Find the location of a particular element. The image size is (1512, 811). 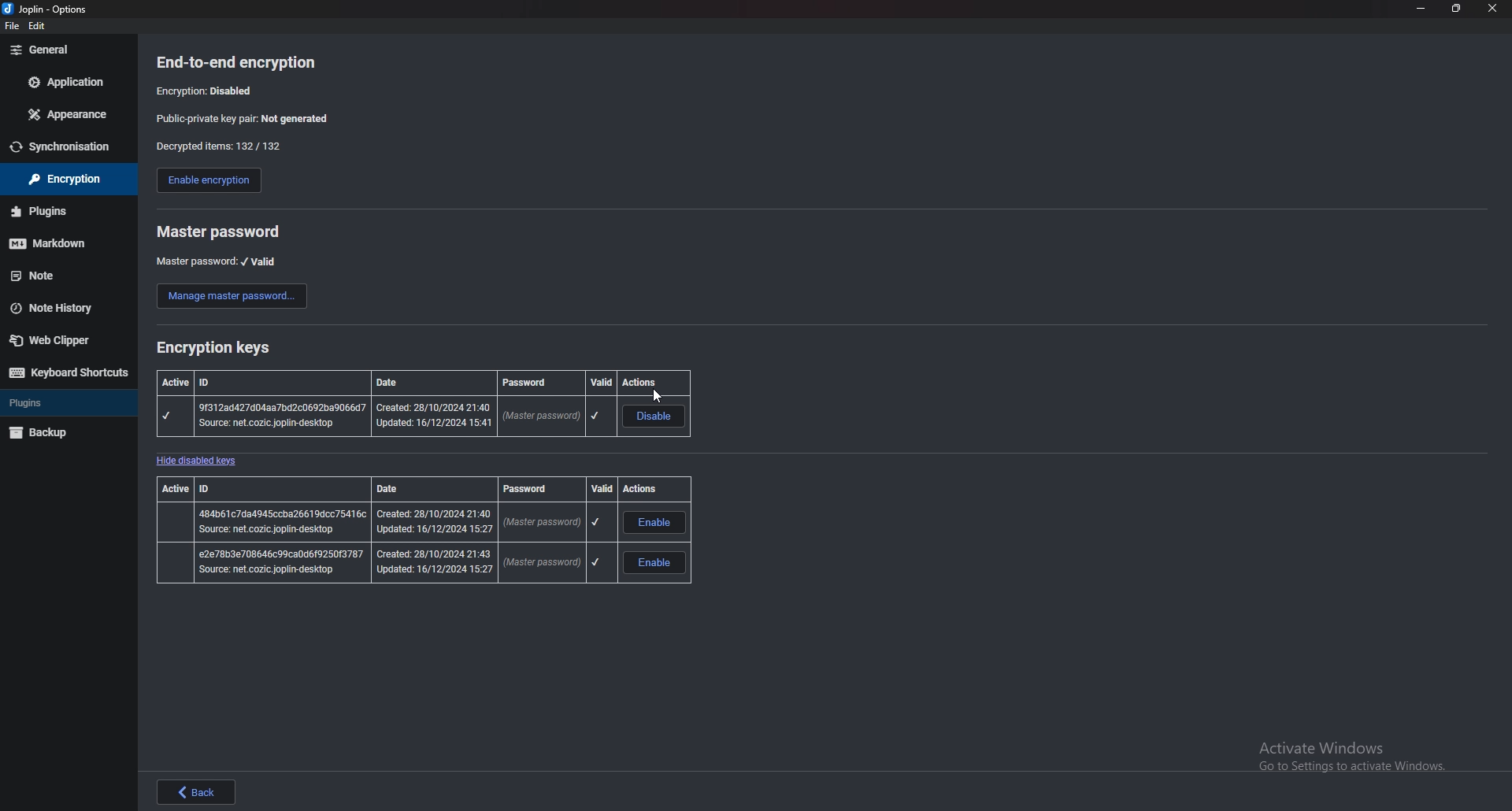

enable encryption is located at coordinates (209, 180).